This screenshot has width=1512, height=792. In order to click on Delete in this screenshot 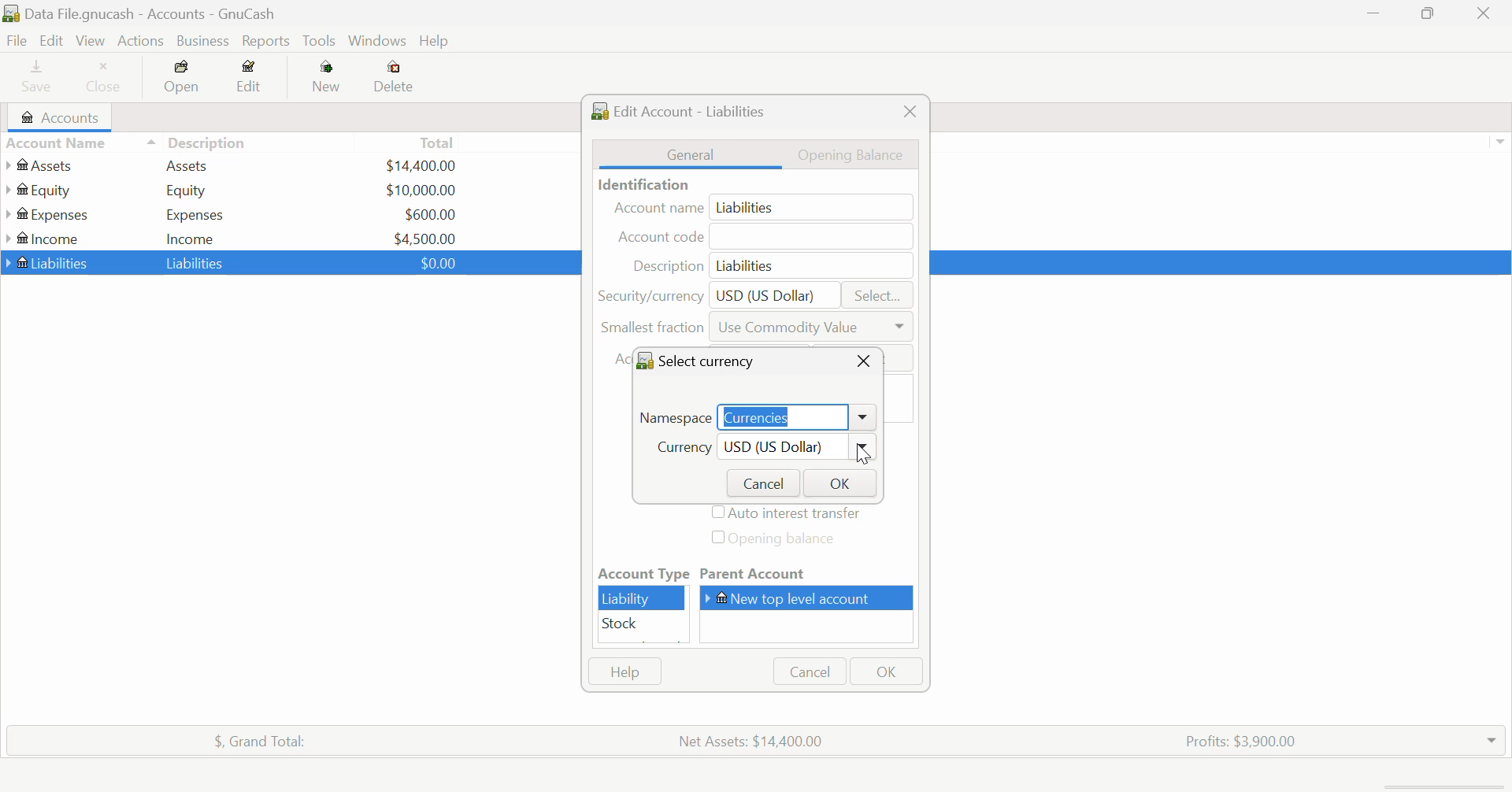, I will do `click(394, 77)`.